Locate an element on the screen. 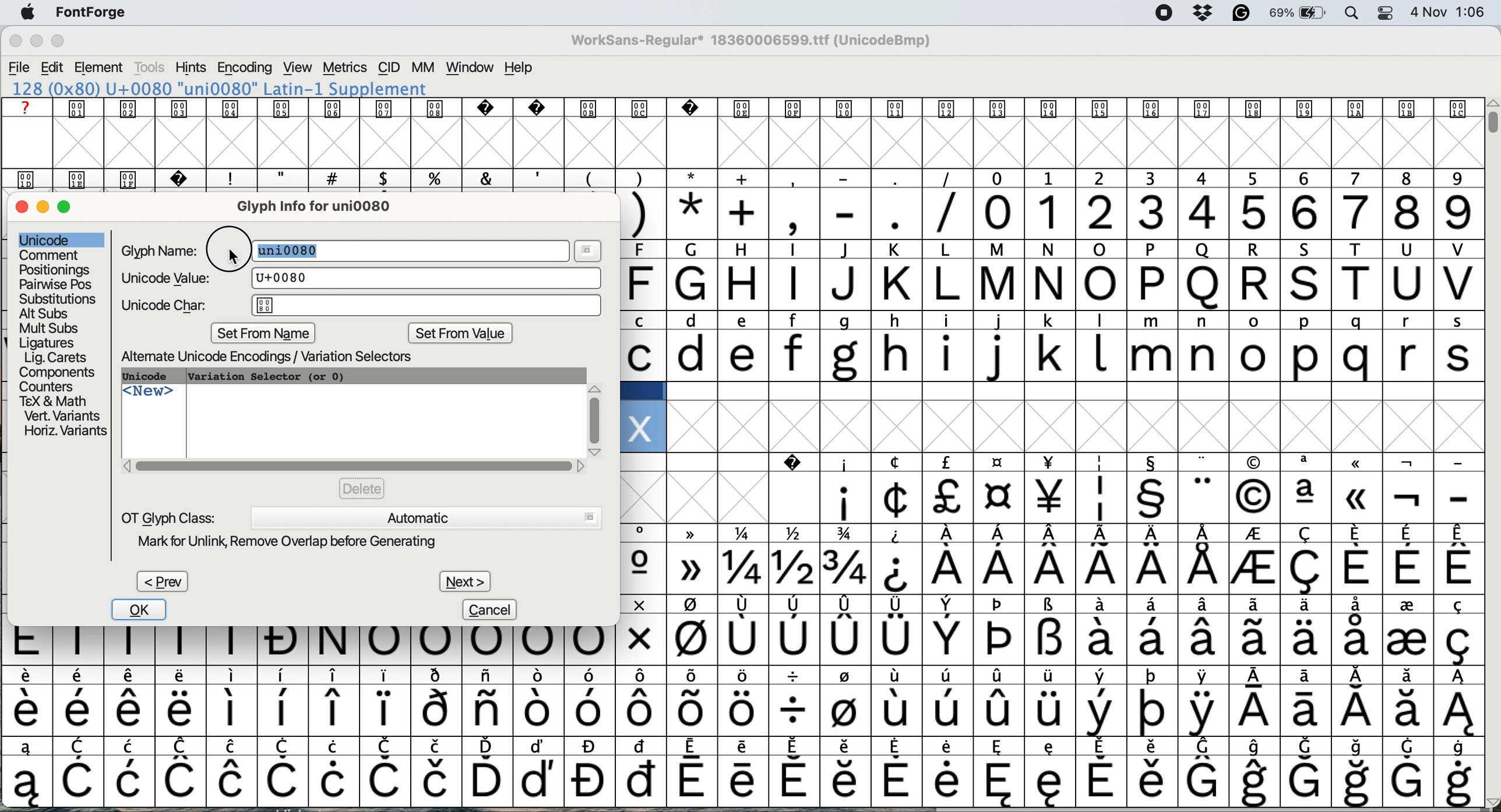  text is located at coordinates (738, 108).